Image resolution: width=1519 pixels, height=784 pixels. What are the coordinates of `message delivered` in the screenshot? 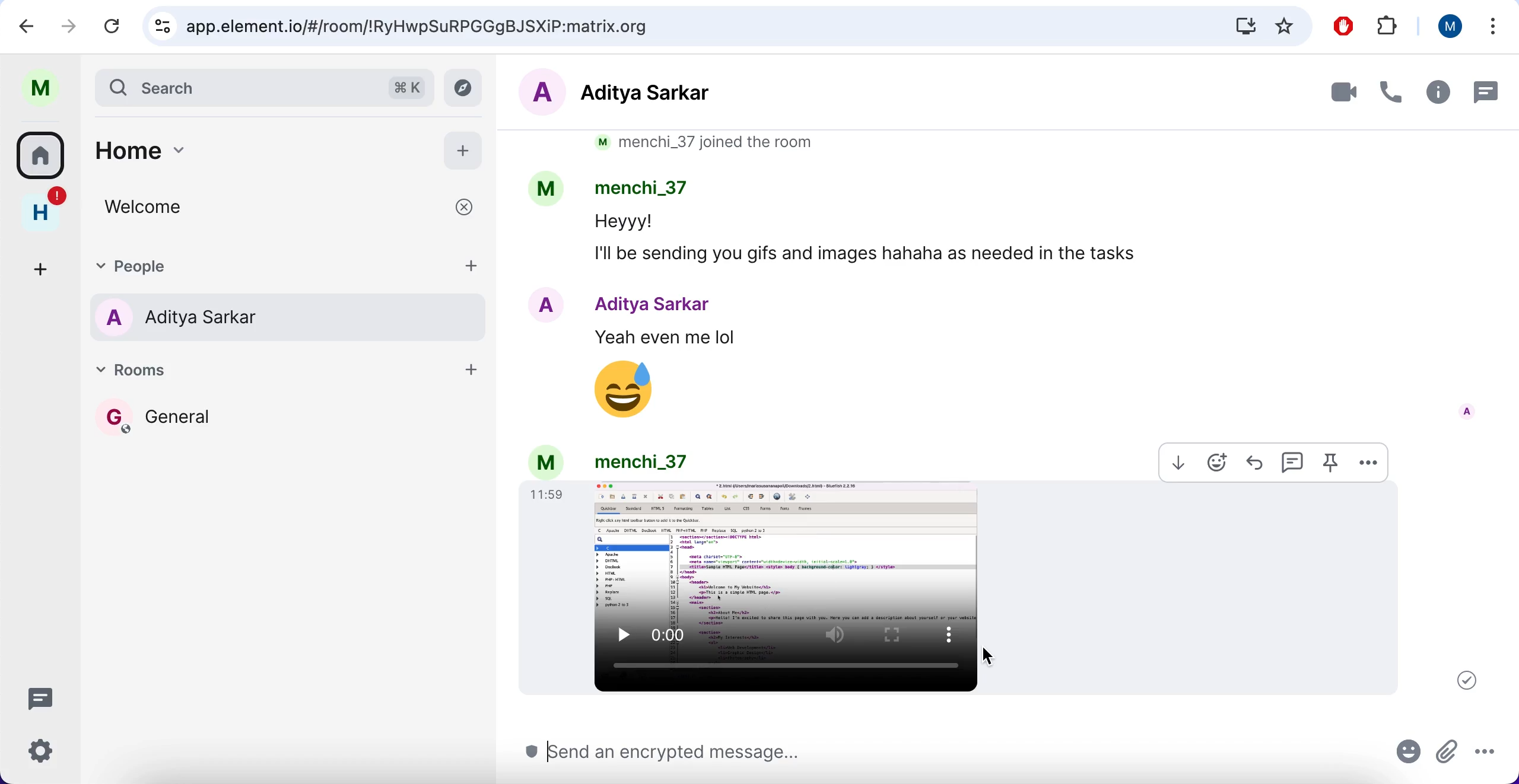 It's located at (1467, 680).